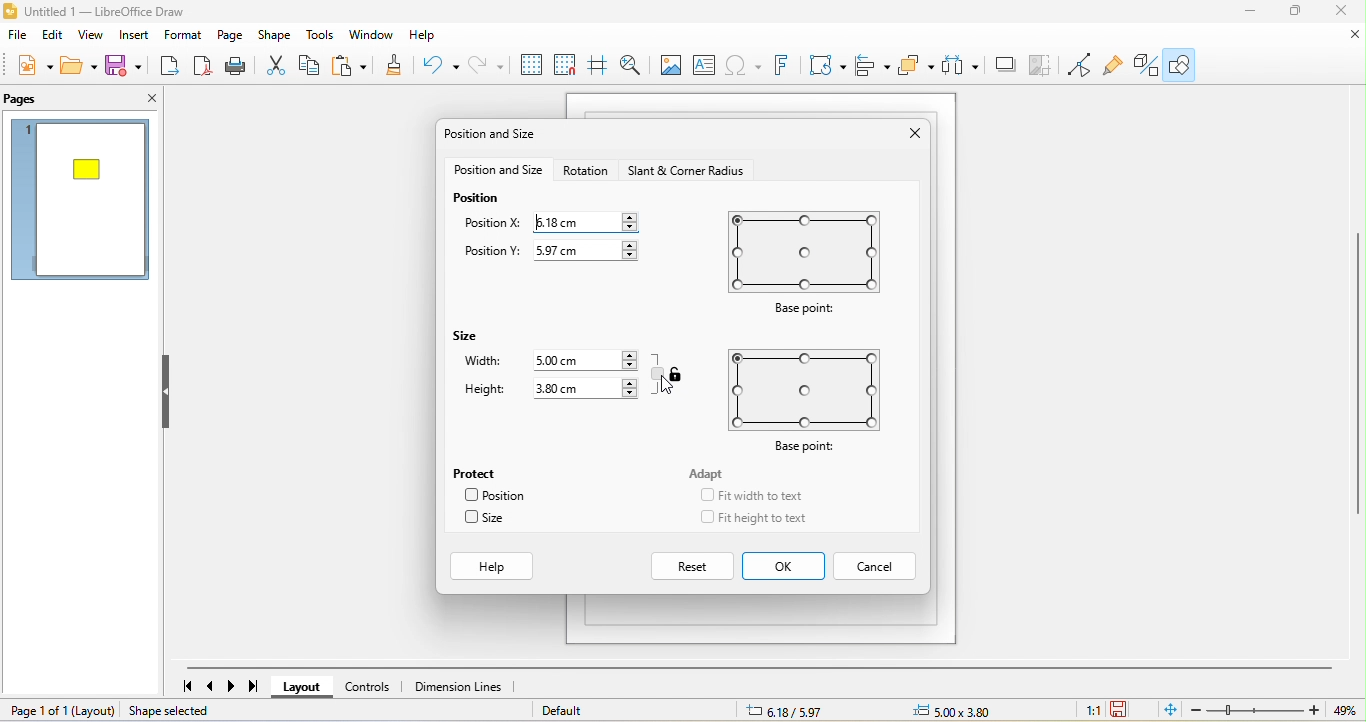 The height and width of the screenshot is (722, 1366). What do you see at coordinates (583, 711) in the screenshot?
I see `default` at bounding box center [583, 711].